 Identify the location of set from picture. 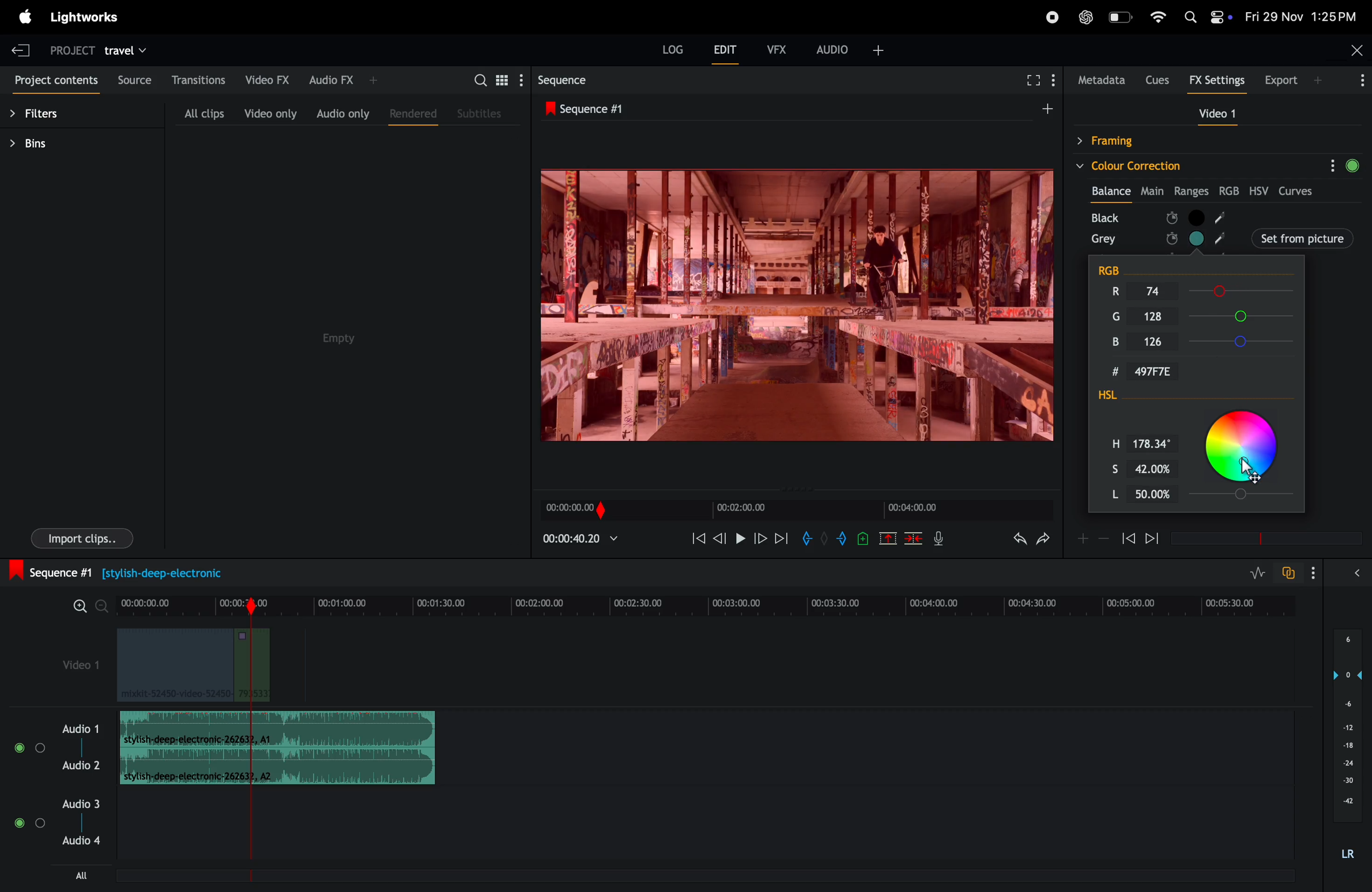
(1258, 237).